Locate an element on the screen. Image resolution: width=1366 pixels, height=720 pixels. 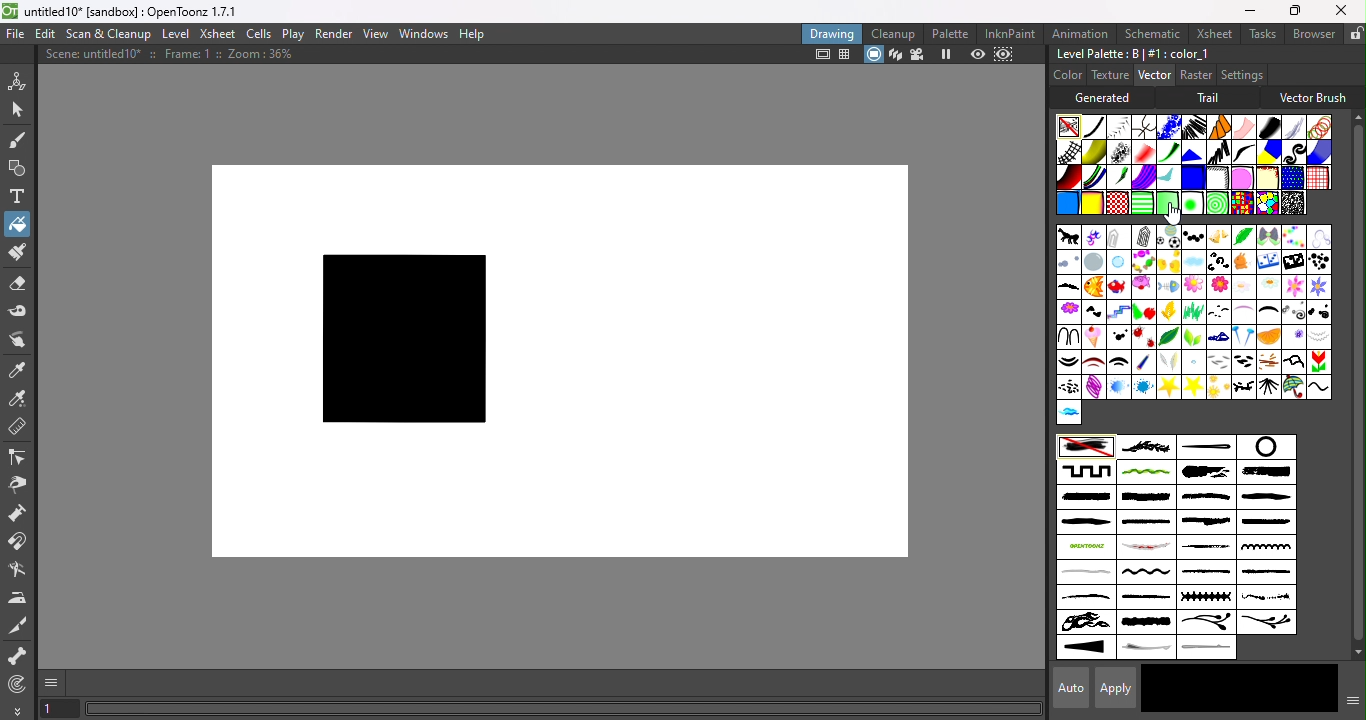
Dog is located at coordinates (1243, 263).